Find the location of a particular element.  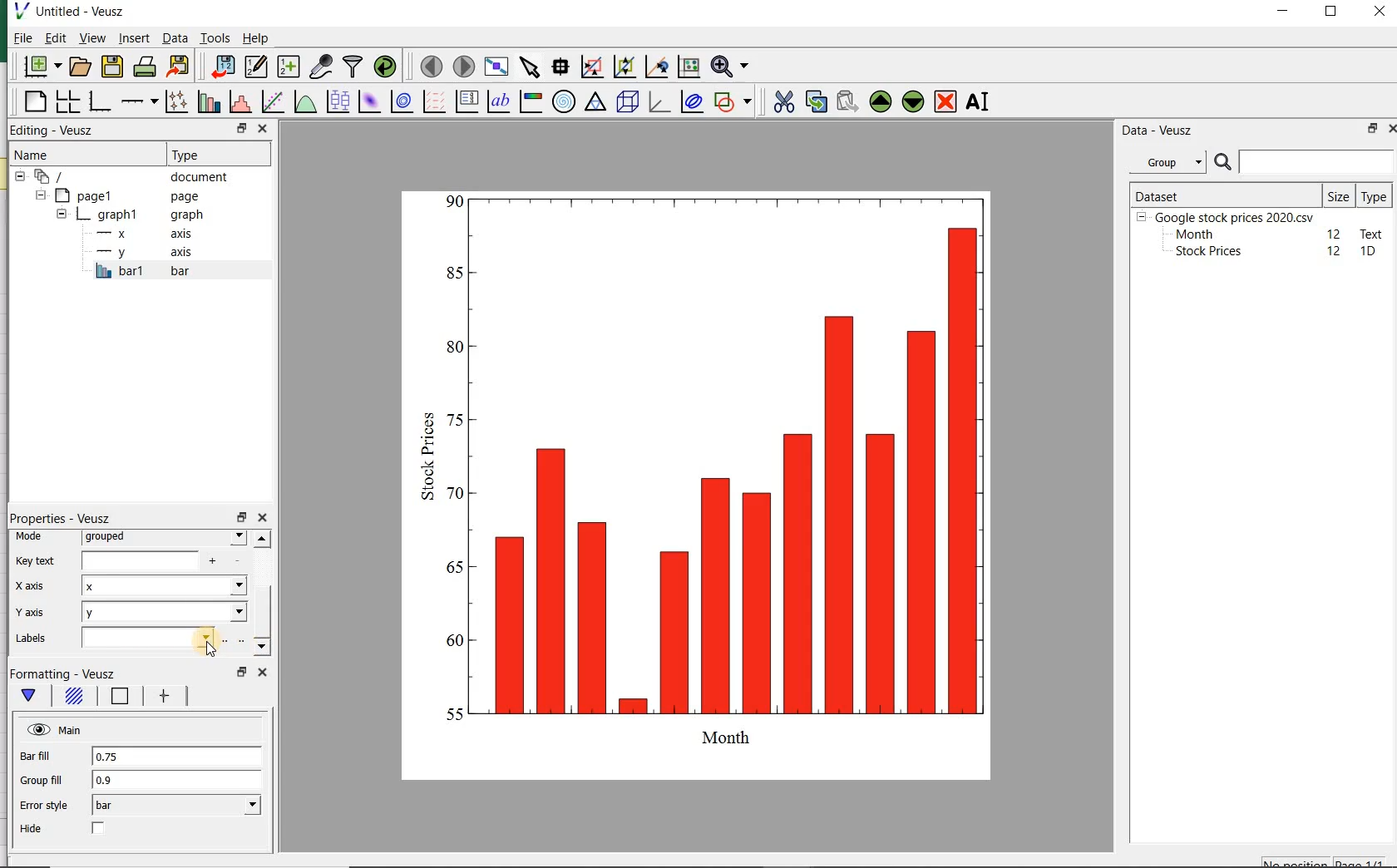

view is located at coordinates (92, 39).